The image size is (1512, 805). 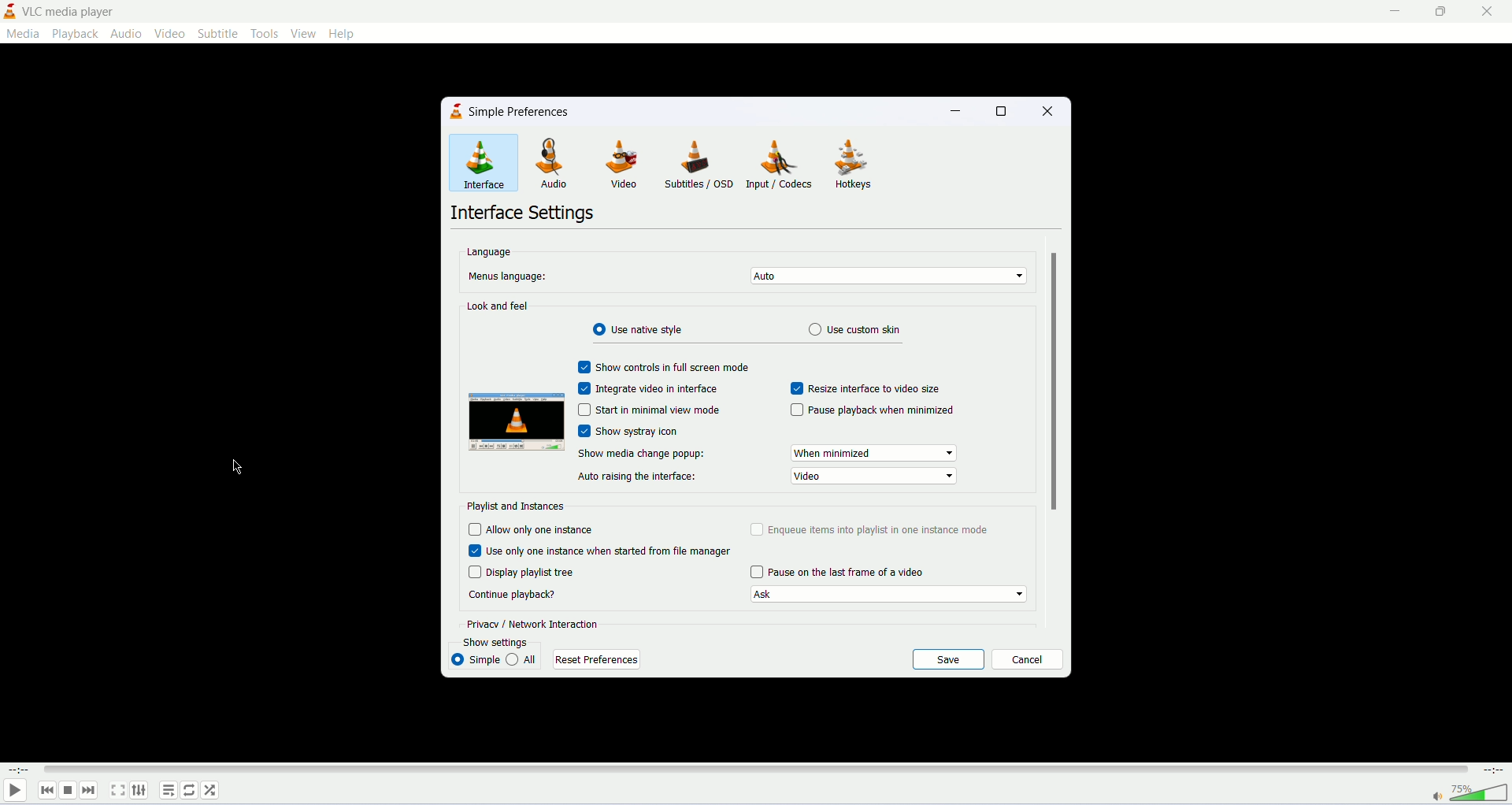 What do you see at coordinates (522, 506) in the screenshot?
I see `Playlist and instances` at bounding box center [522, 506].